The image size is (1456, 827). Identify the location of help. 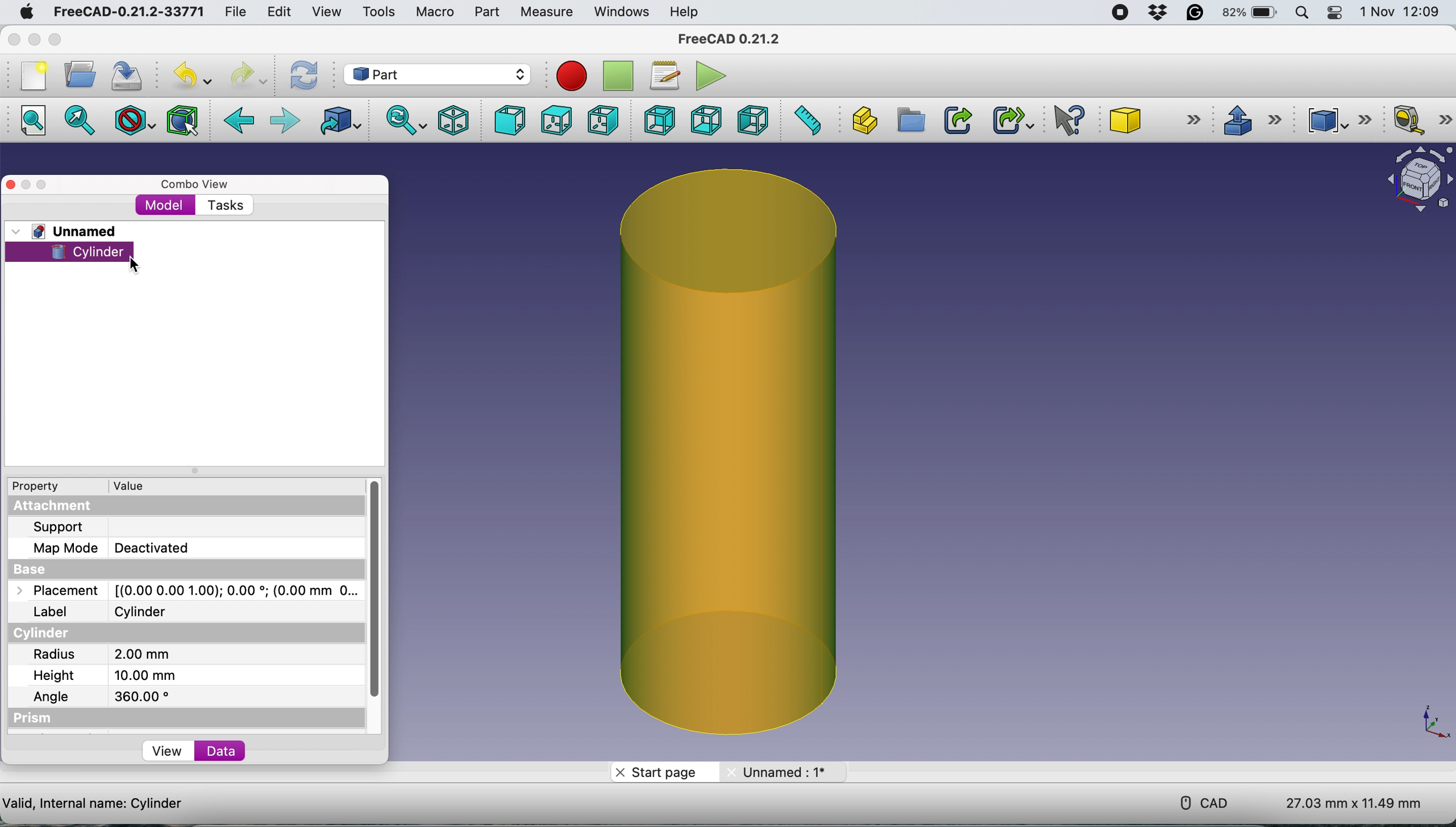
(687, 12).